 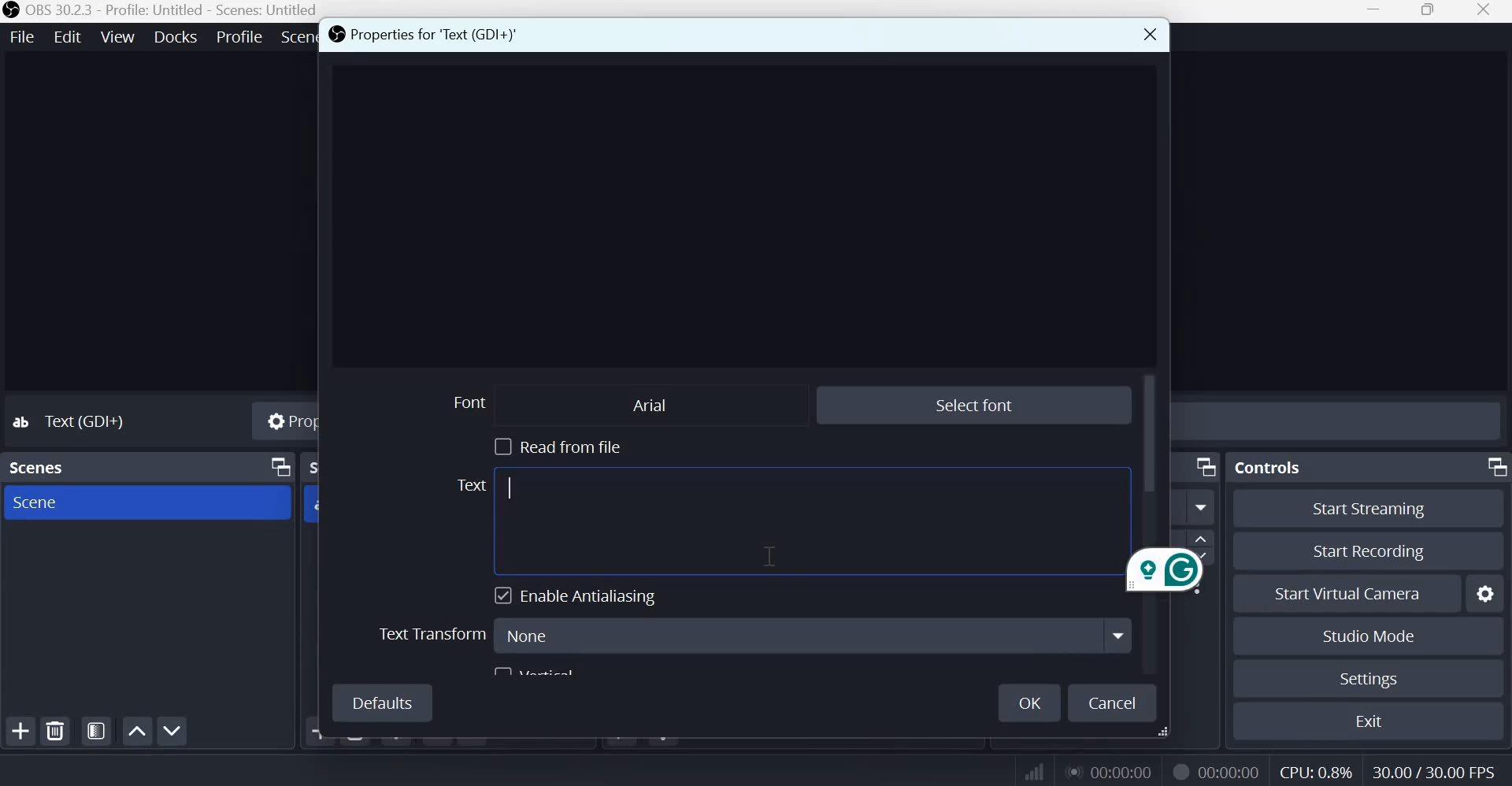 What do you see at coordinates (1354, 594) in the screenshot?
I see `Start virtual camera` at bounding box center [1354, 594].